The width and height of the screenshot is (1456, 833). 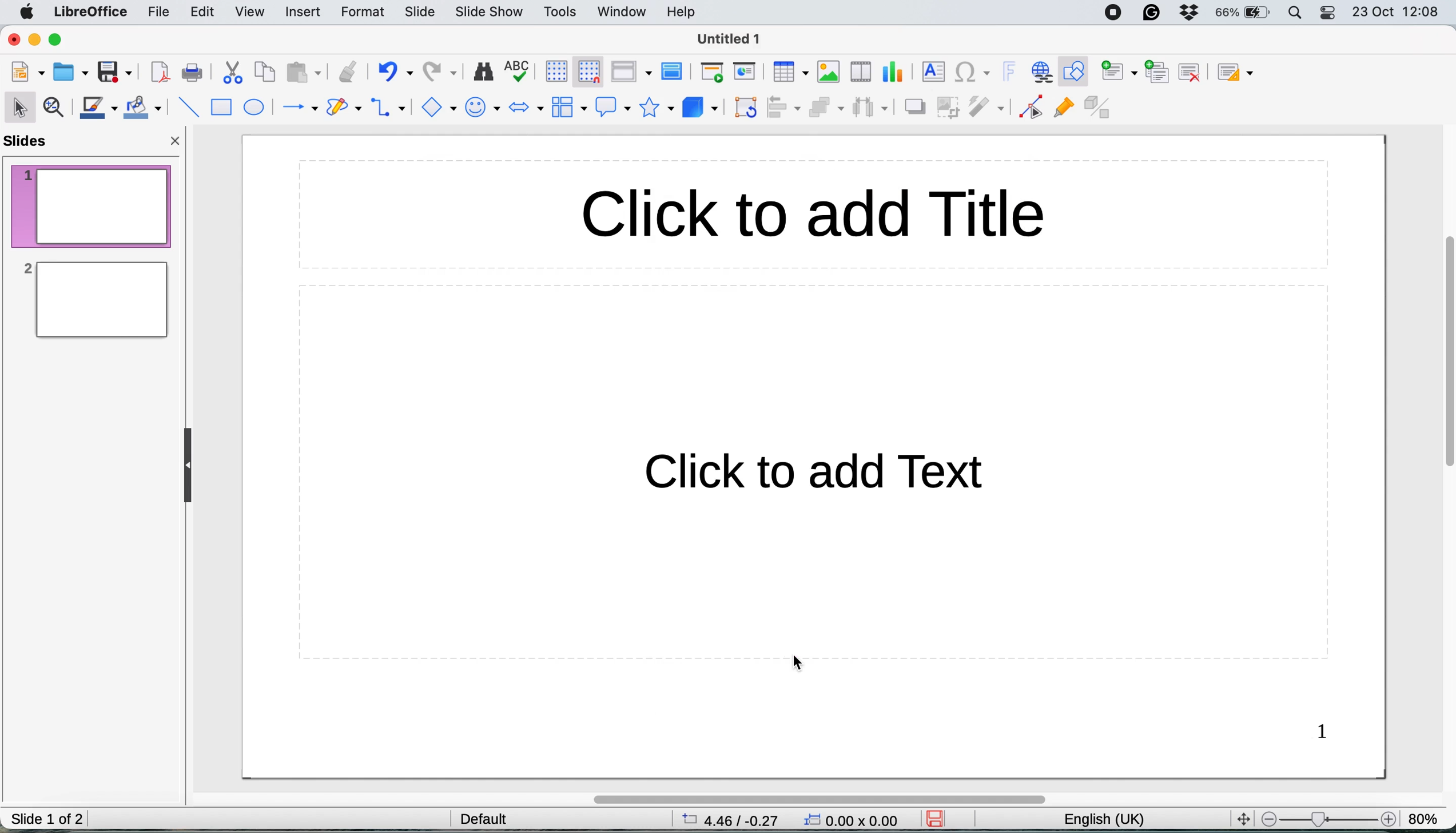 What do you see at coordinates (870, 109) in the screenshot?
I see `select three objects to distribute` at bounding box center [870, 109].